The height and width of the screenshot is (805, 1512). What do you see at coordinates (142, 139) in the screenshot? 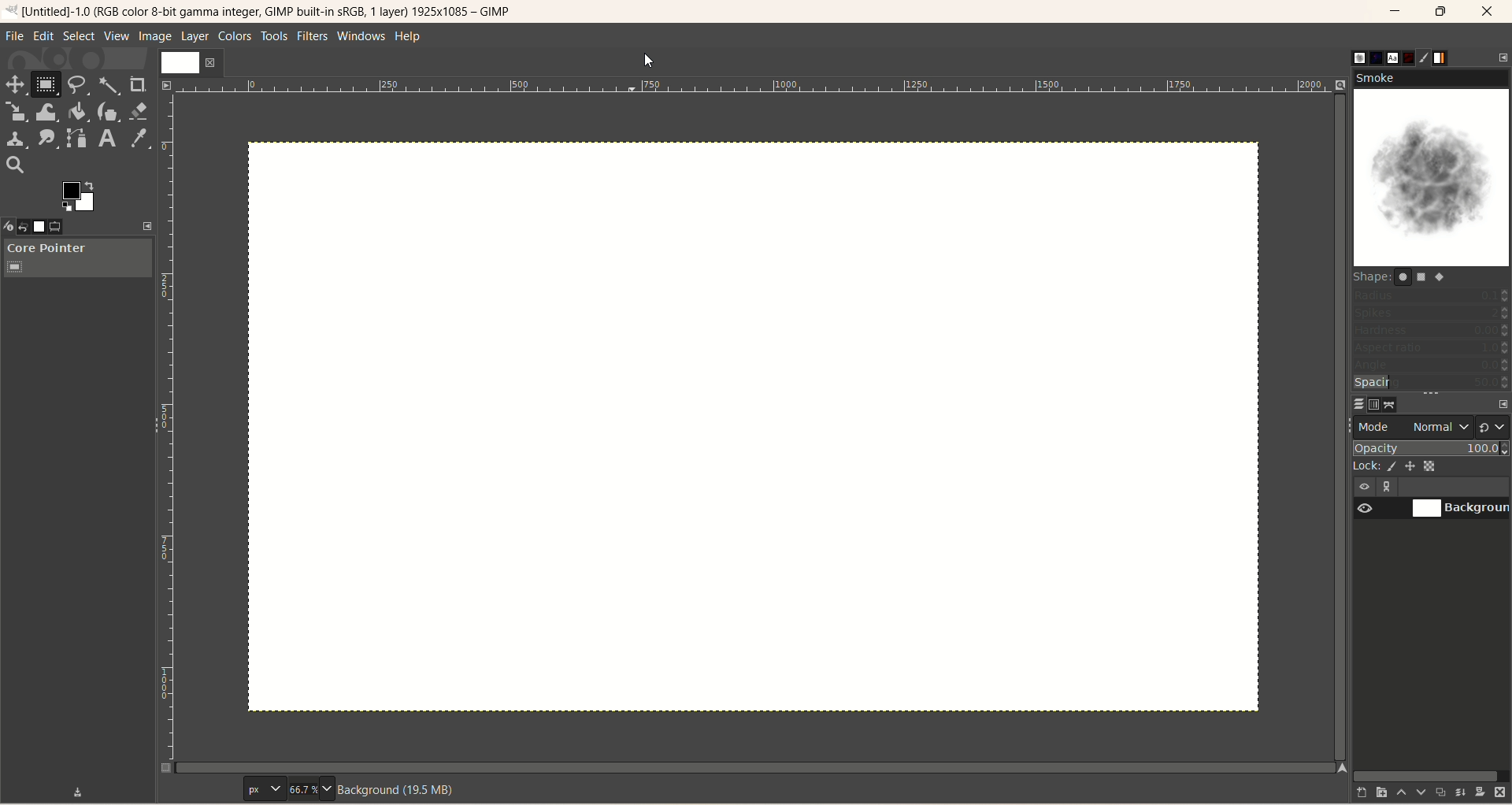
I see `color picker tool` at bounding box center [142, 139].